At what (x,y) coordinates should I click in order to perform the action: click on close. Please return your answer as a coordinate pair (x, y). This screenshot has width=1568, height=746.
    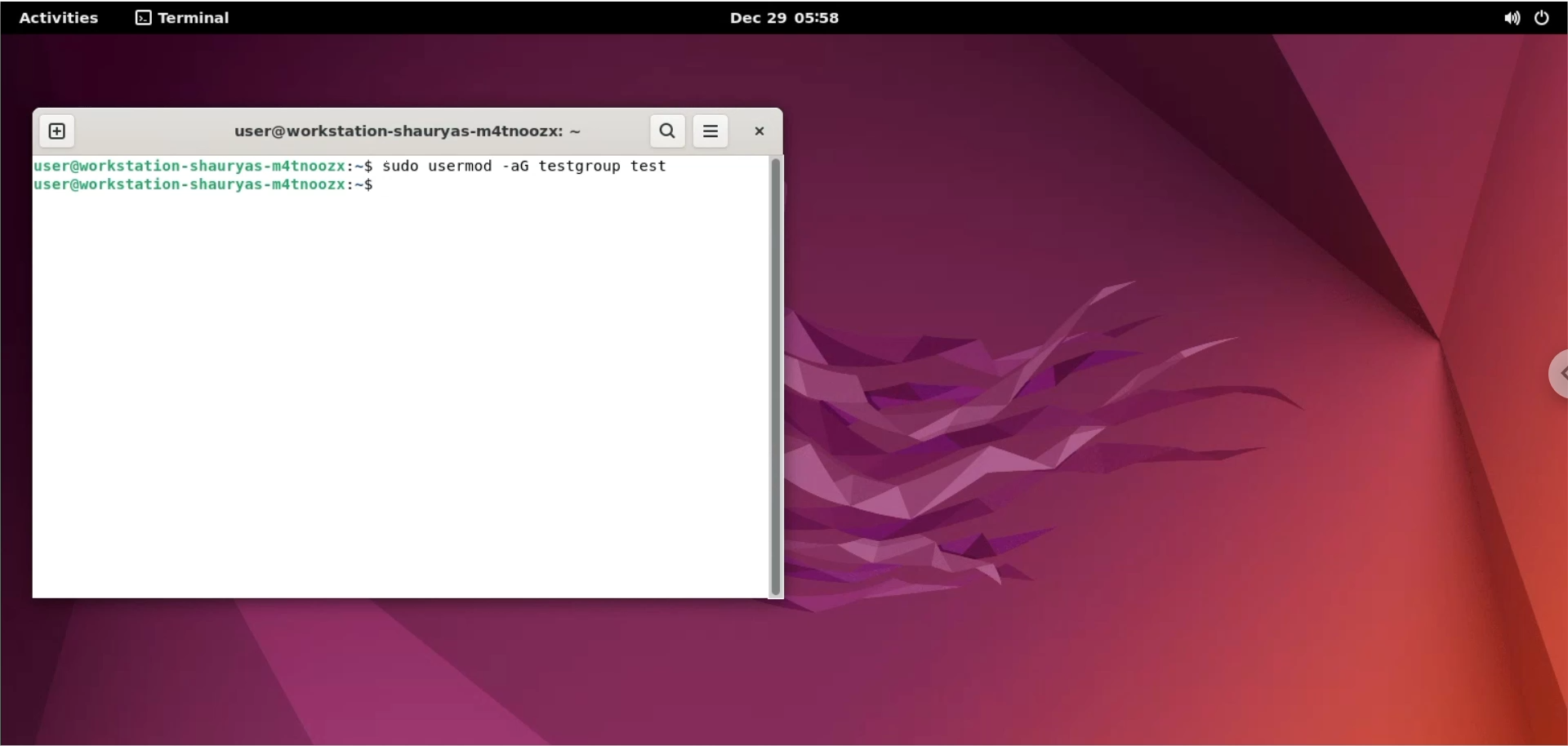
    Looking at the image, I should click on (758, 131).